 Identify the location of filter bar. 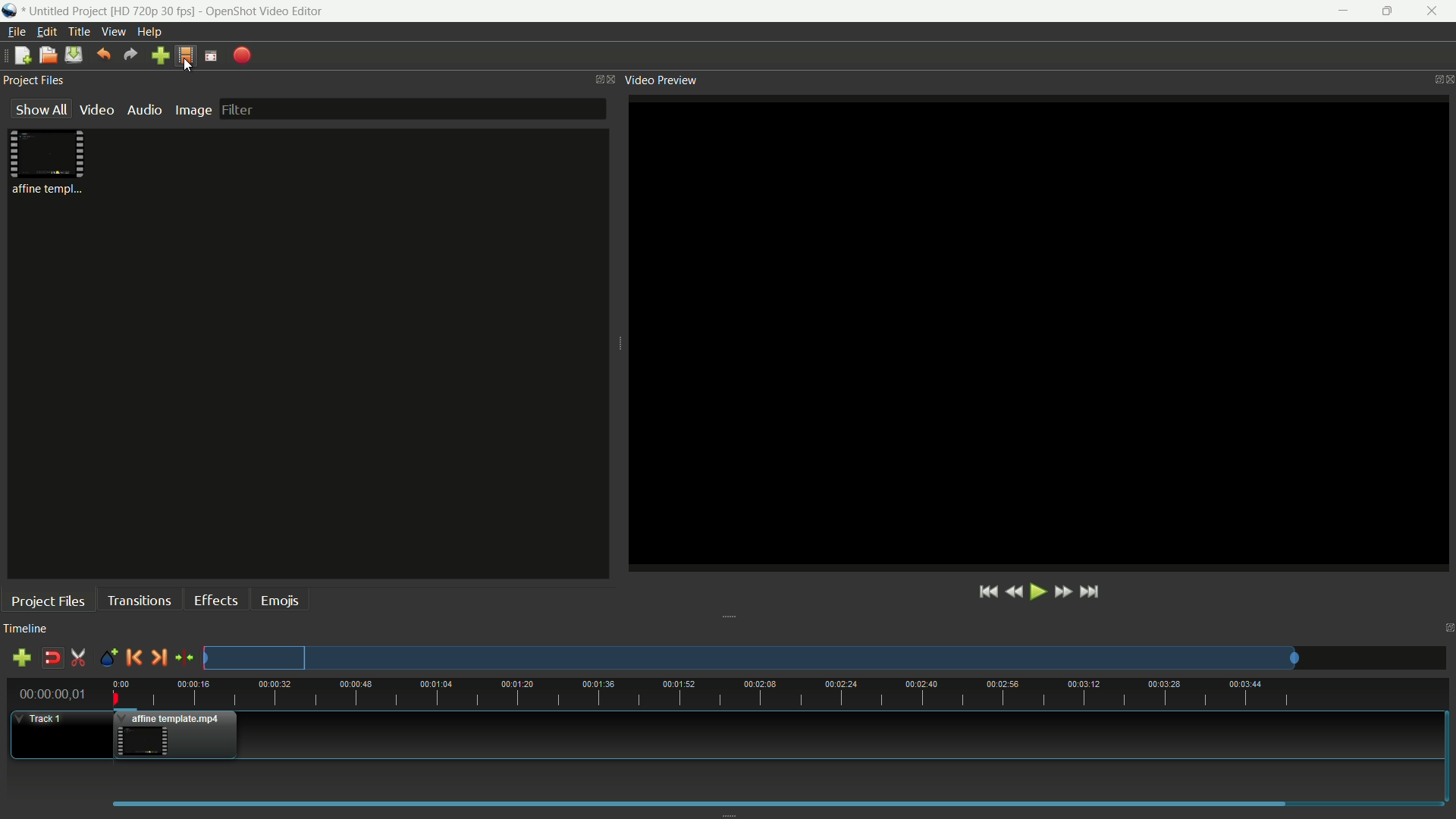
(413, 109).